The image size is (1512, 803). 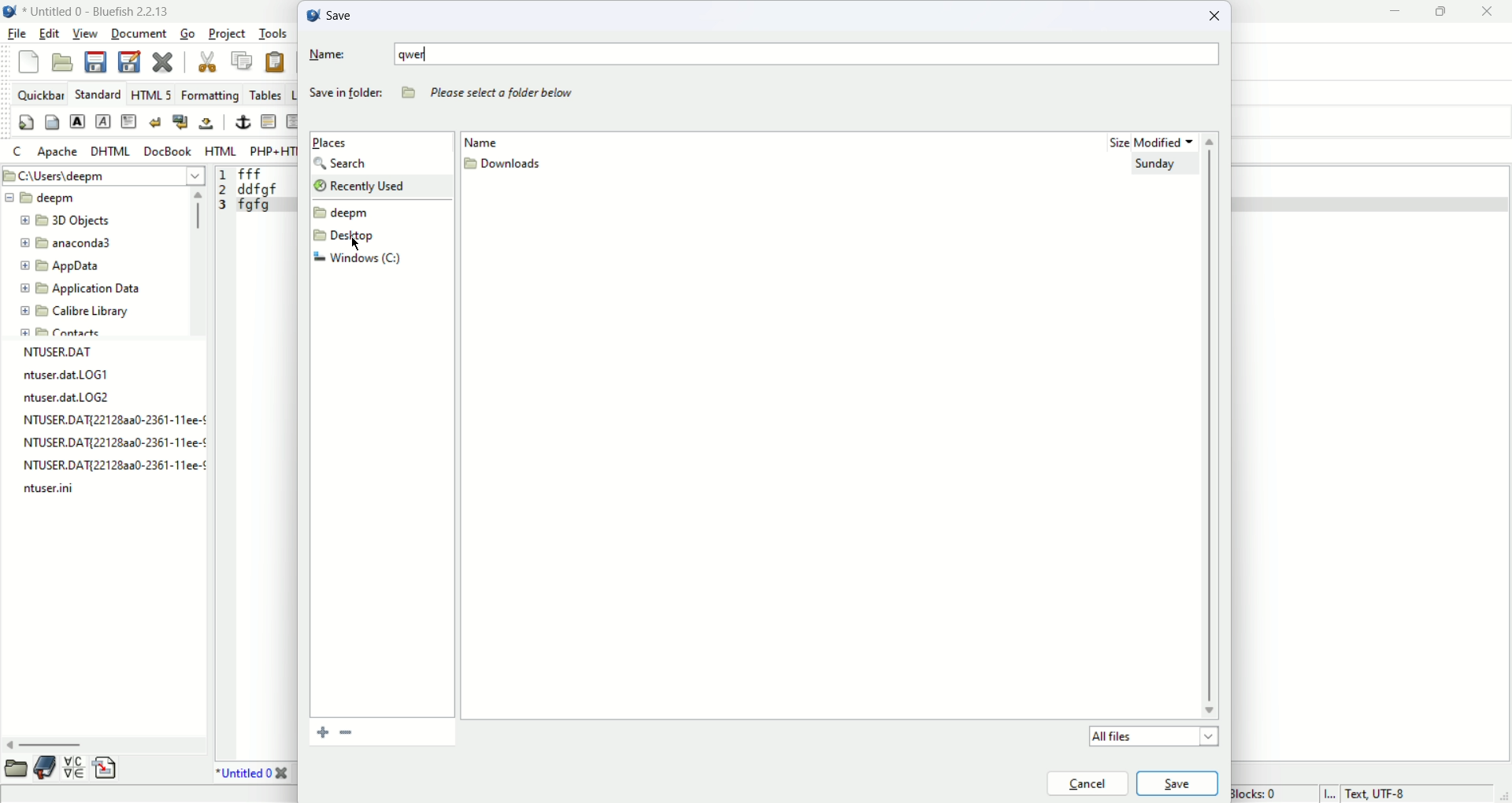 I want to click on ntuser.dat LOG2, so click(x=70, y=398).